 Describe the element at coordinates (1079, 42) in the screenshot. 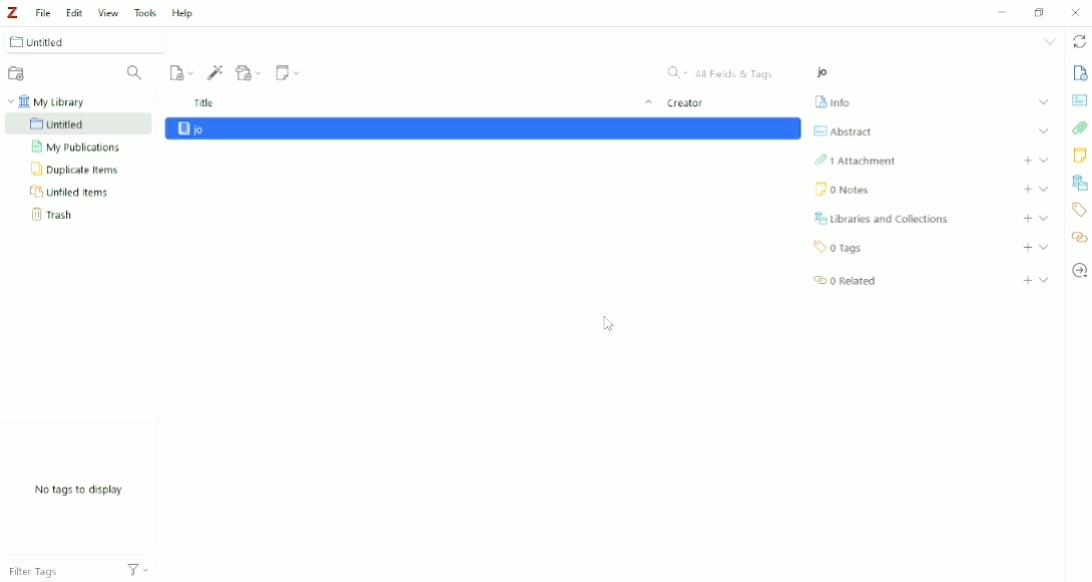

I see `Sync` at that location.